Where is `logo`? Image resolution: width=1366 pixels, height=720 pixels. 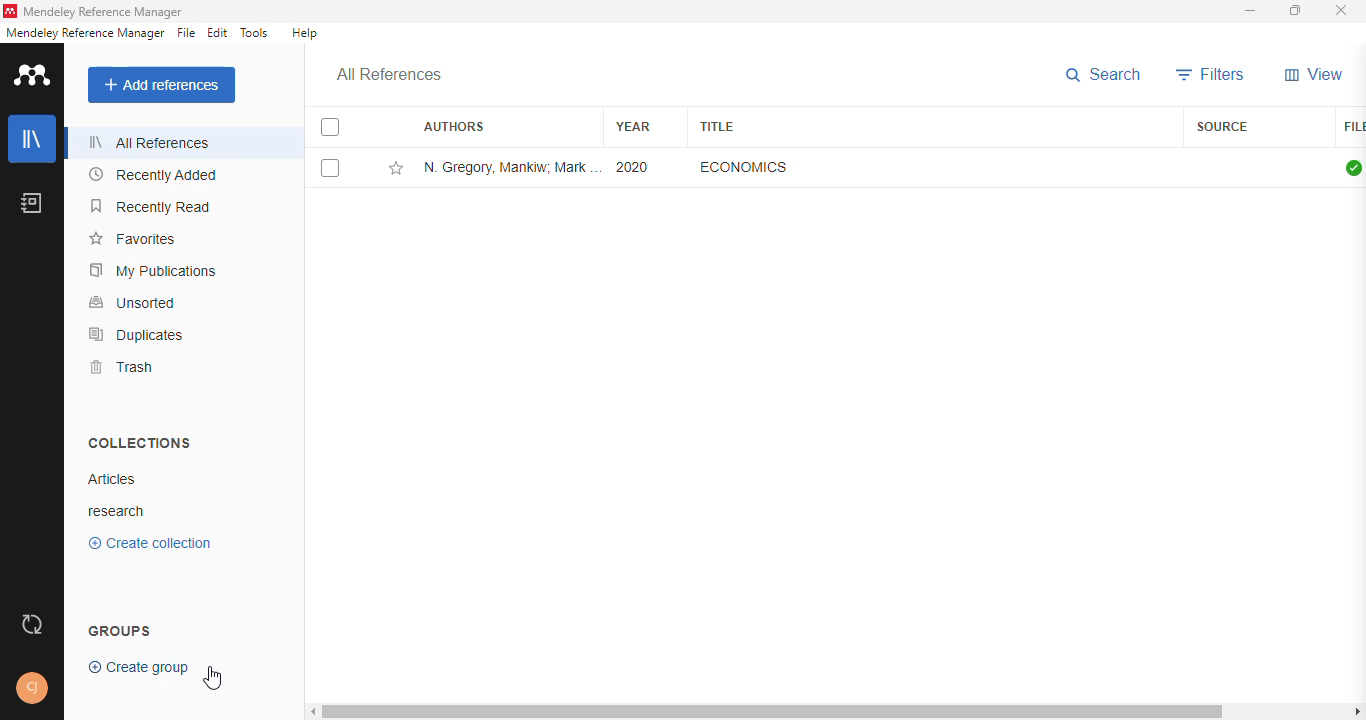 logo is located at coordinates (33, 75).